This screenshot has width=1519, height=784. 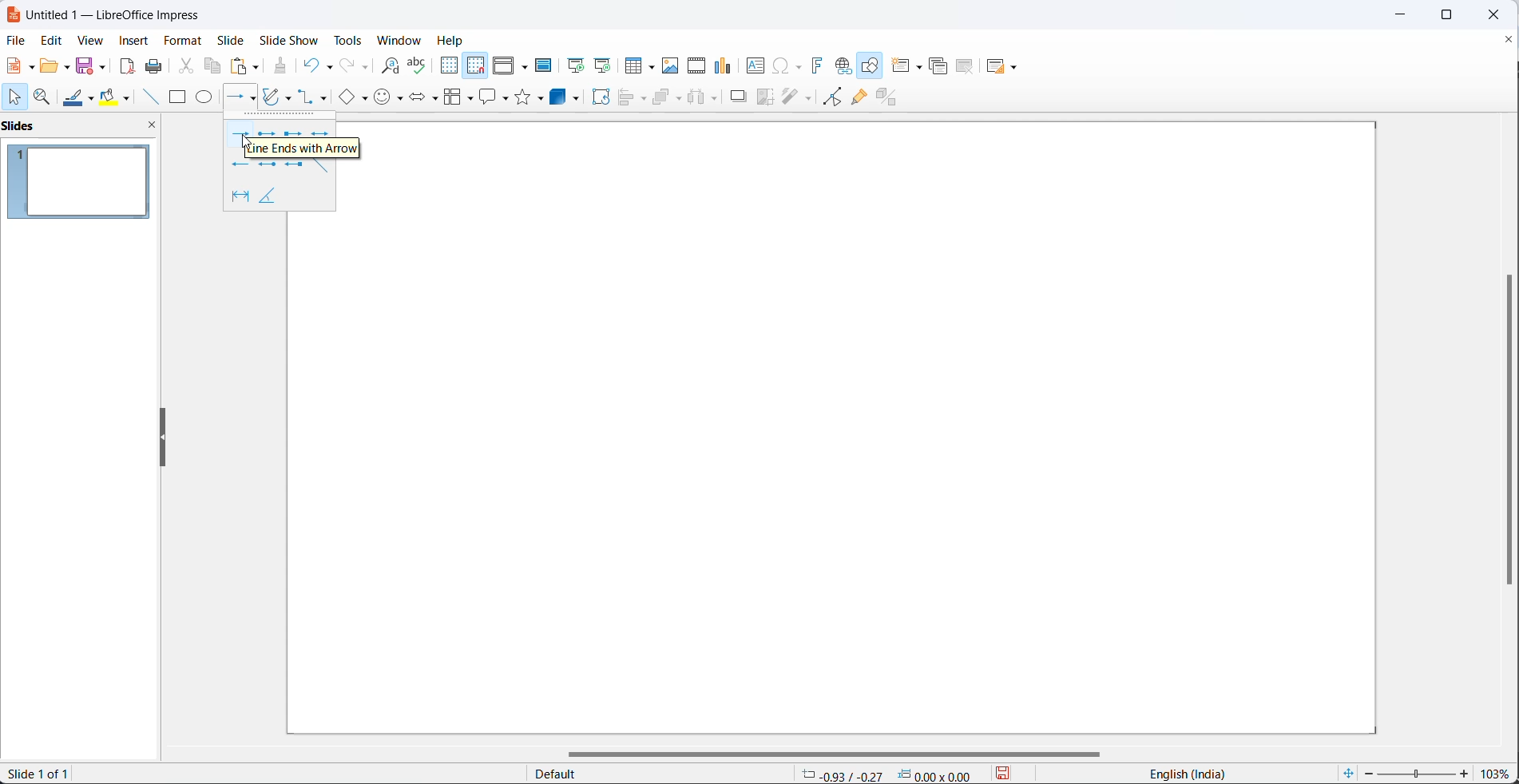 I want to click on callout shapes, so click(x=492, y=97).